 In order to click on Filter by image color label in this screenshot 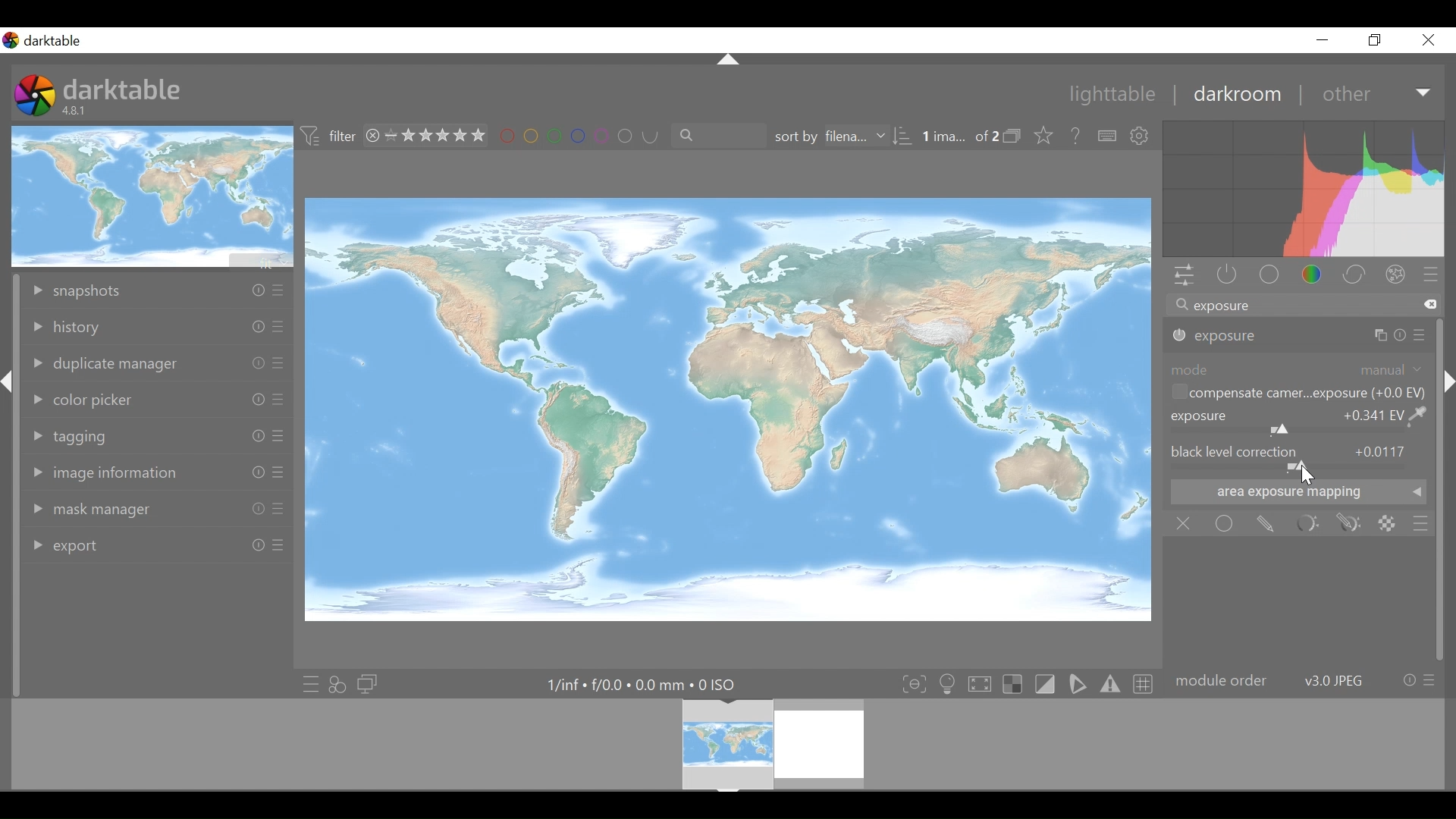, I will do `click(573, 136)`.